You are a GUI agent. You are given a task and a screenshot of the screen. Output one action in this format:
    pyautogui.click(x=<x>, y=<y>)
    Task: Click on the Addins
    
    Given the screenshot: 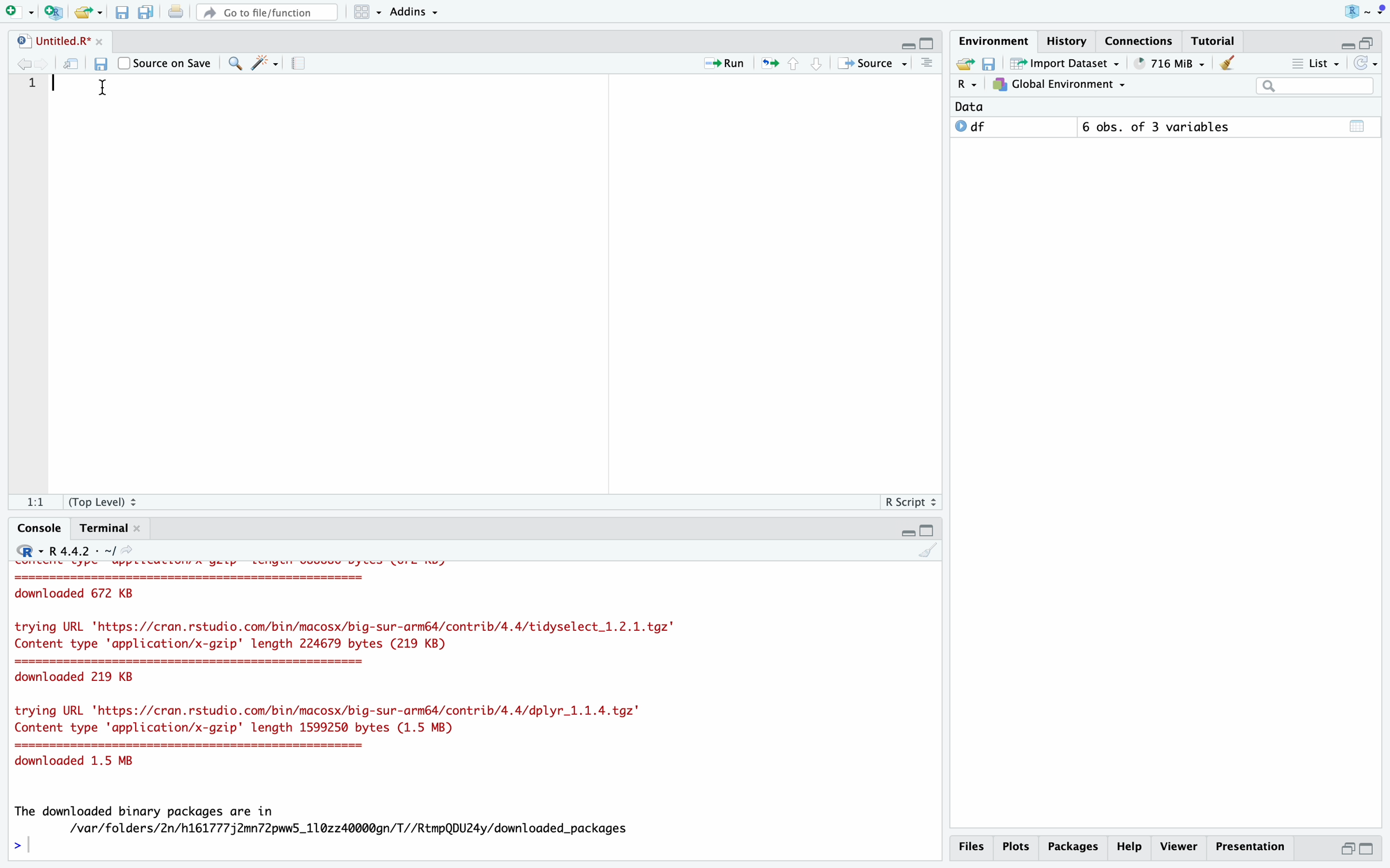 What is the action you would take?
    pyautogui.click(x=414, y=11)
    